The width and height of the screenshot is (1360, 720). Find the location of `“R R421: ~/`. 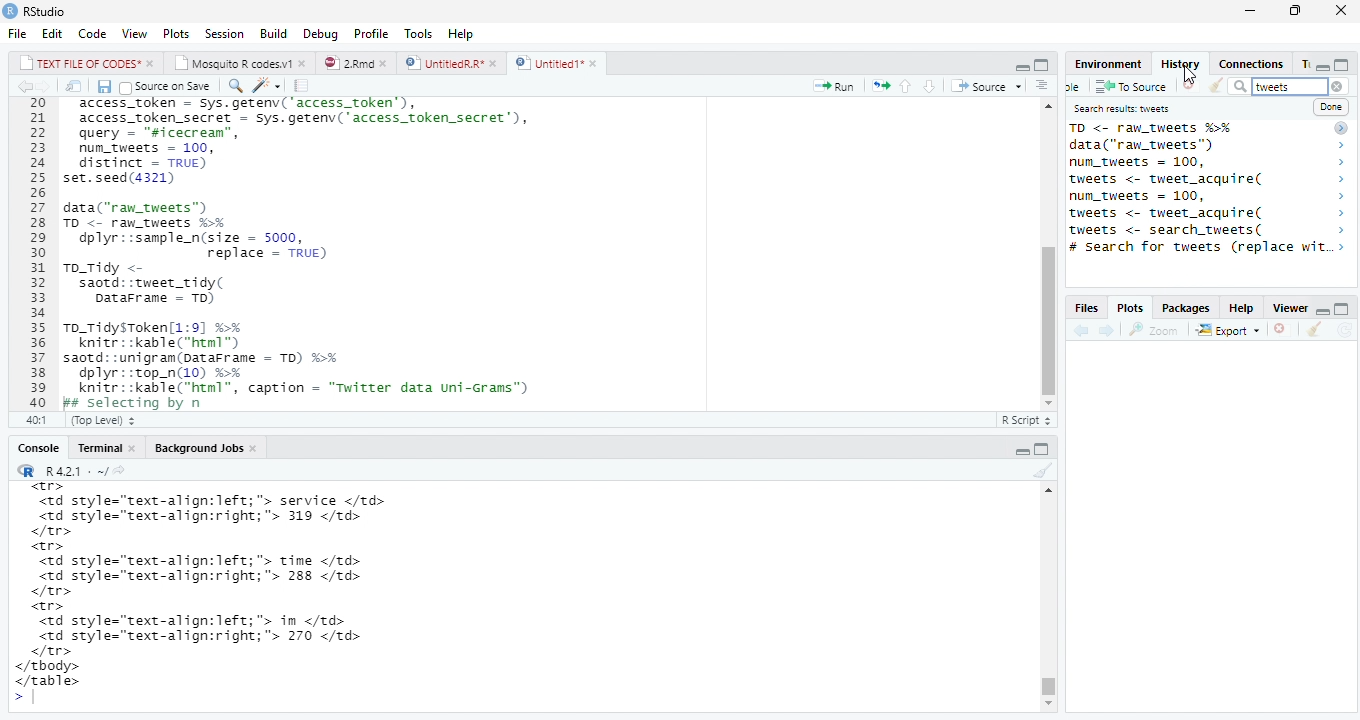

“R R421: ~/ is located at coordinates (79, 469).